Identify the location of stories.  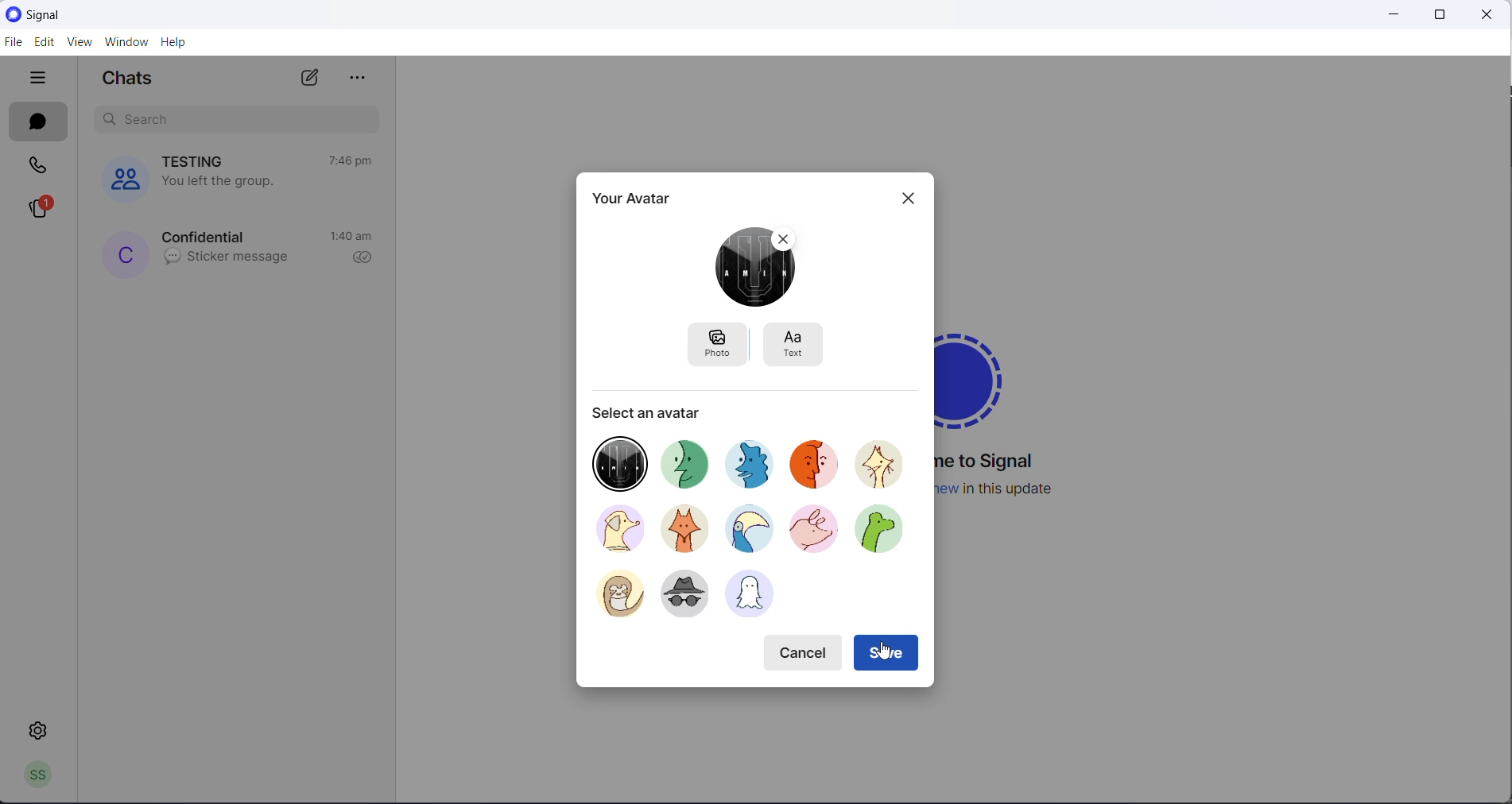
(39, 208).